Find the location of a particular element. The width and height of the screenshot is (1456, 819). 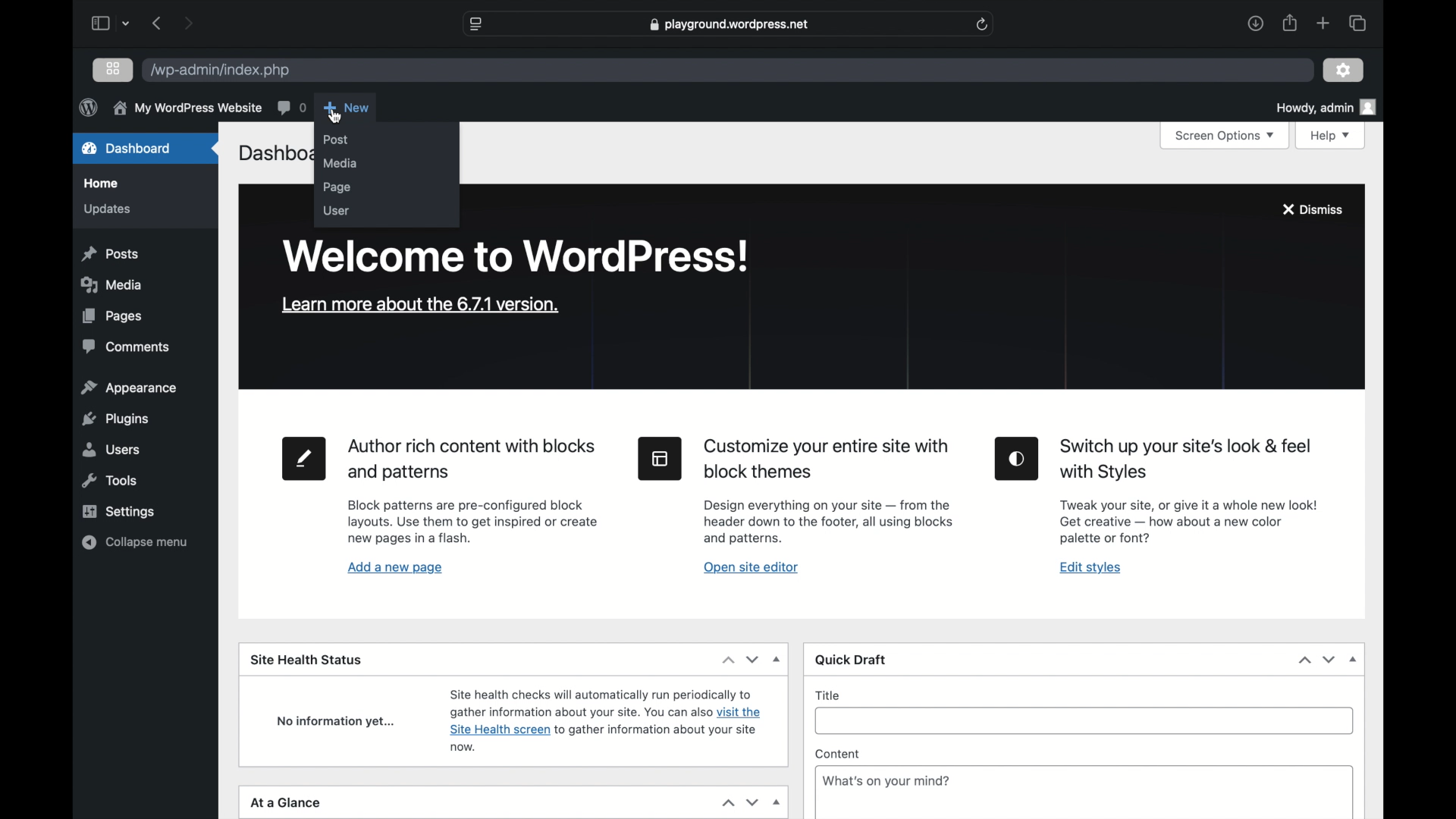

title input is located at coordinates (1083, 721).